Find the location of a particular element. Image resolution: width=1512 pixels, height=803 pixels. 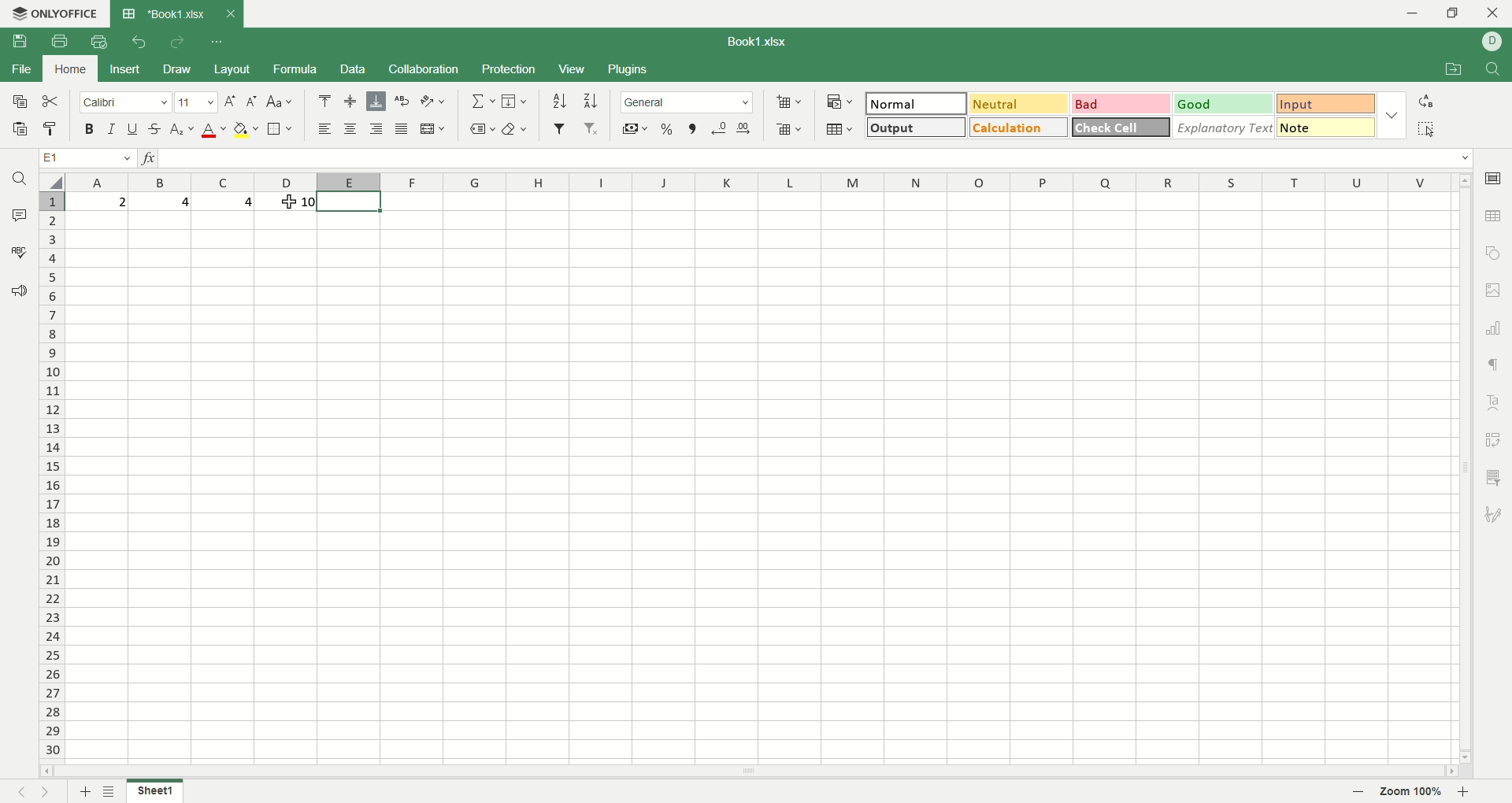

named ranges is located at coordinates (480, 128).